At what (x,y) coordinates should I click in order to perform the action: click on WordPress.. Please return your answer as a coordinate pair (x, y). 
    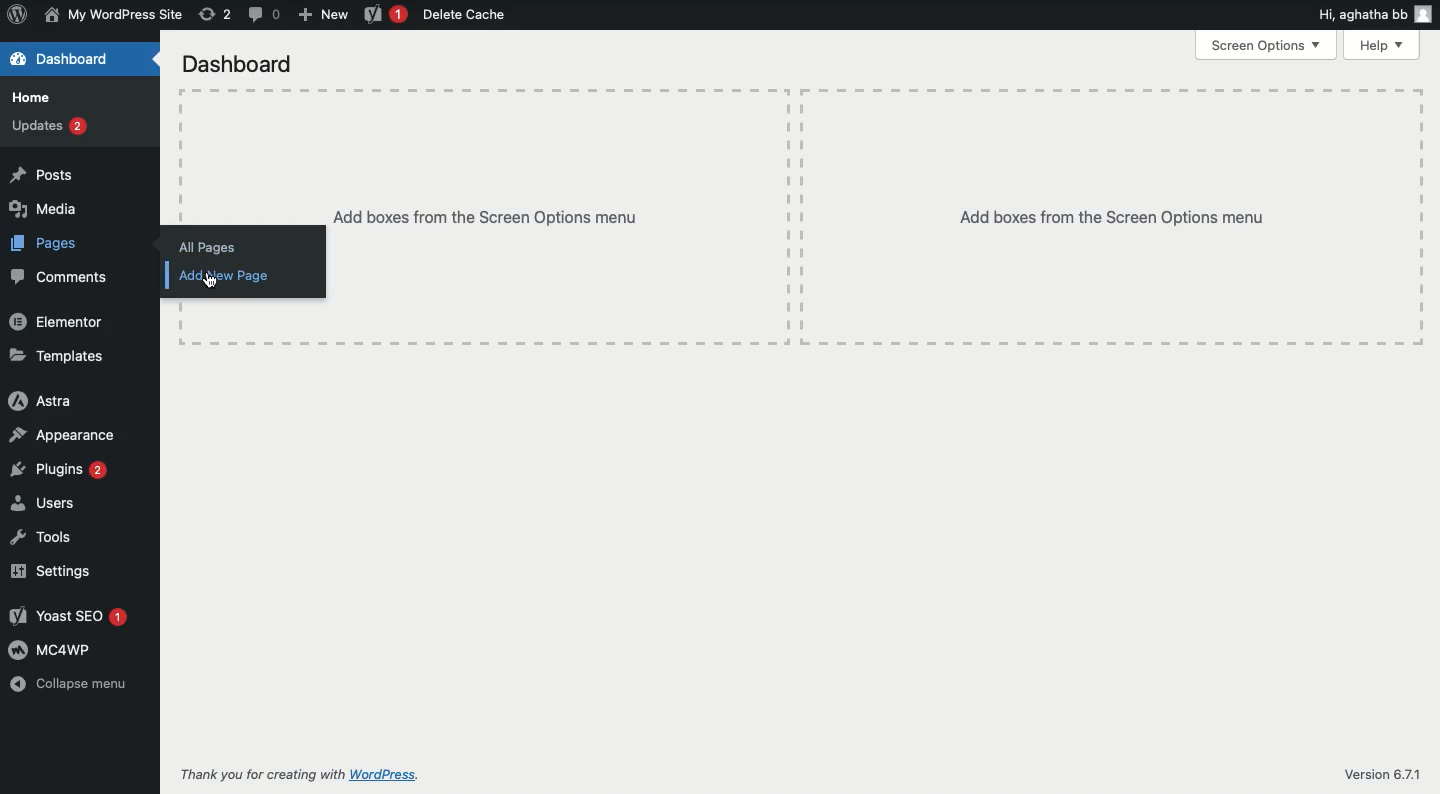
    Looking at the image, I should click on (388, 774).